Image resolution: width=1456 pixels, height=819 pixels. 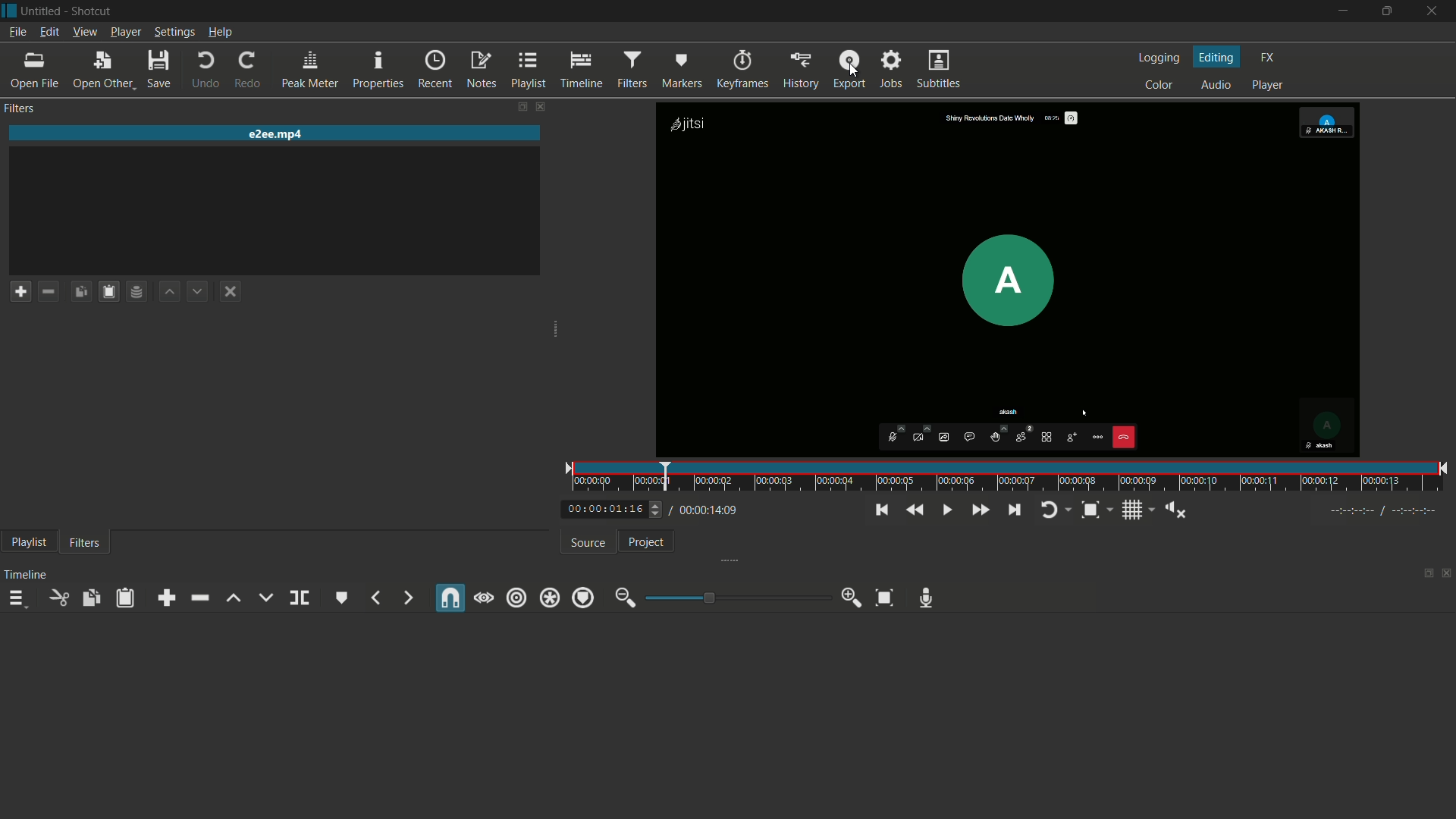 What do you see at coordinates (893, 69) in the screenshot?
I see `jobs` at bounding box center [893, 69].